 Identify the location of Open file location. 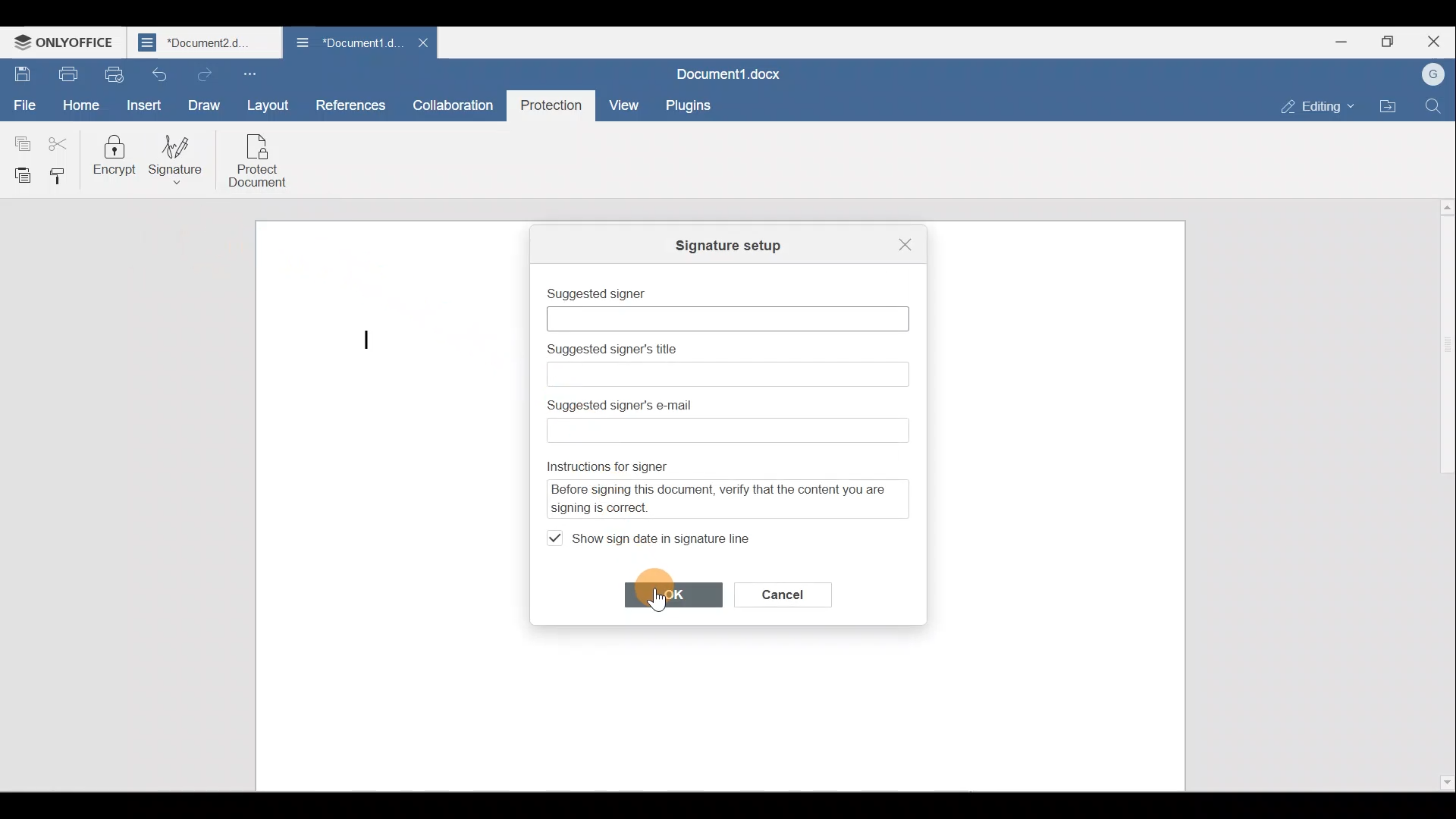
(1392, 105).